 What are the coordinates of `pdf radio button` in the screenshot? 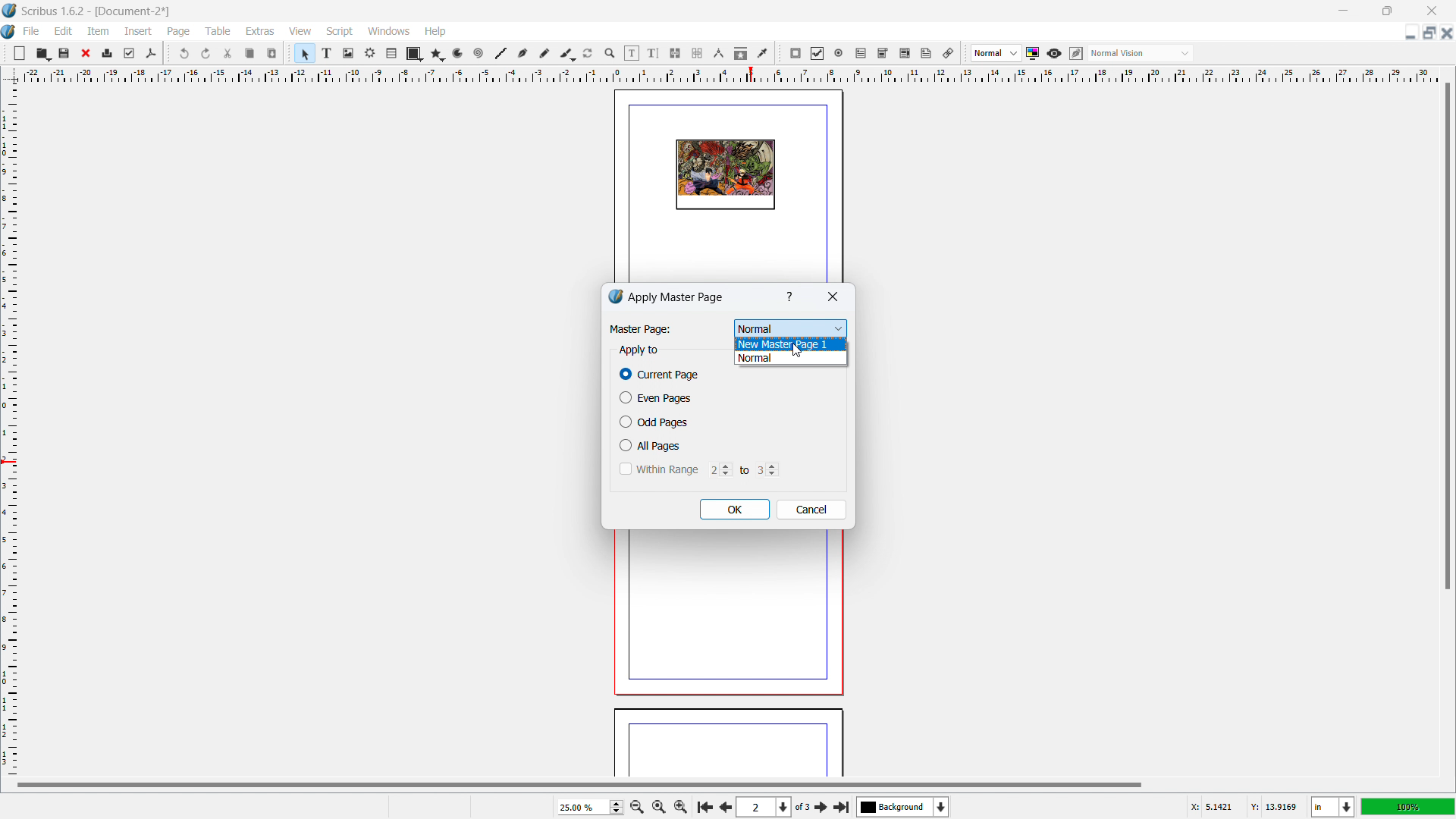 It's located at (839, 52).